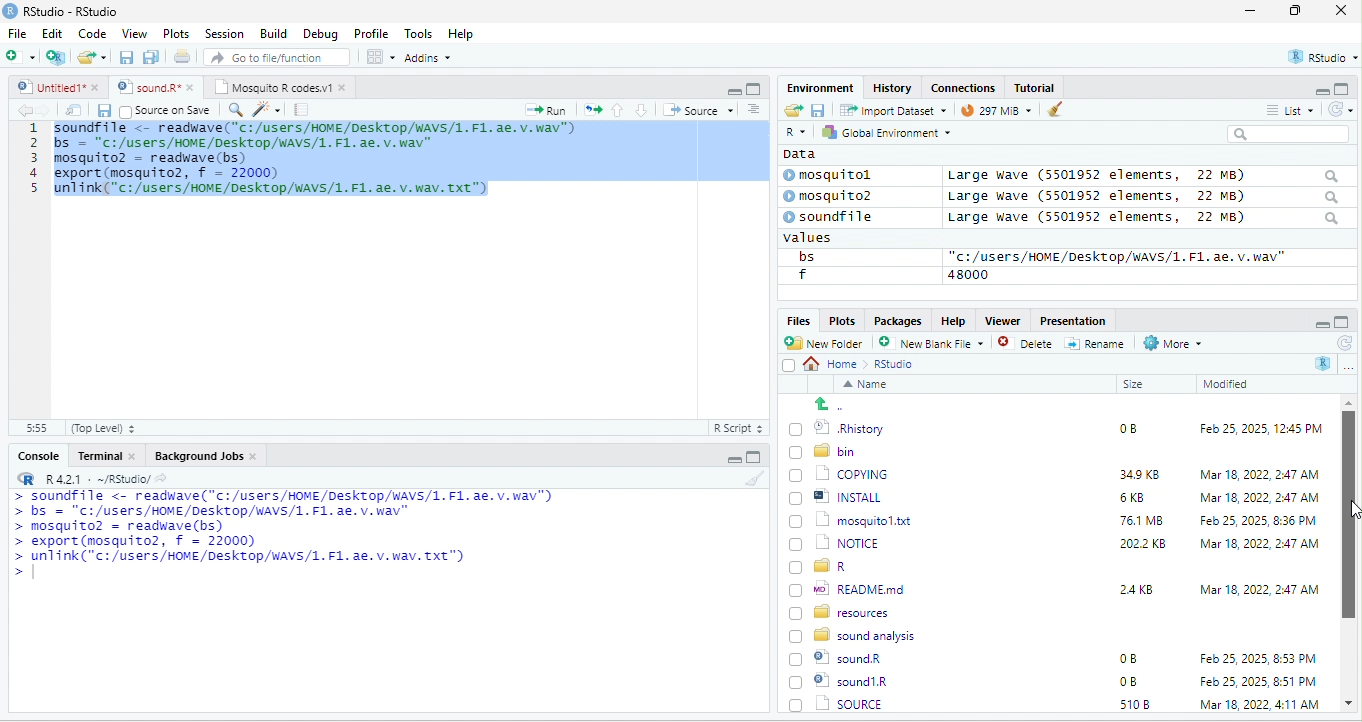  What do you see at coordinates (428, 61) in the screenshot?
I see `Adonns ` at bounding box center [428, 61].